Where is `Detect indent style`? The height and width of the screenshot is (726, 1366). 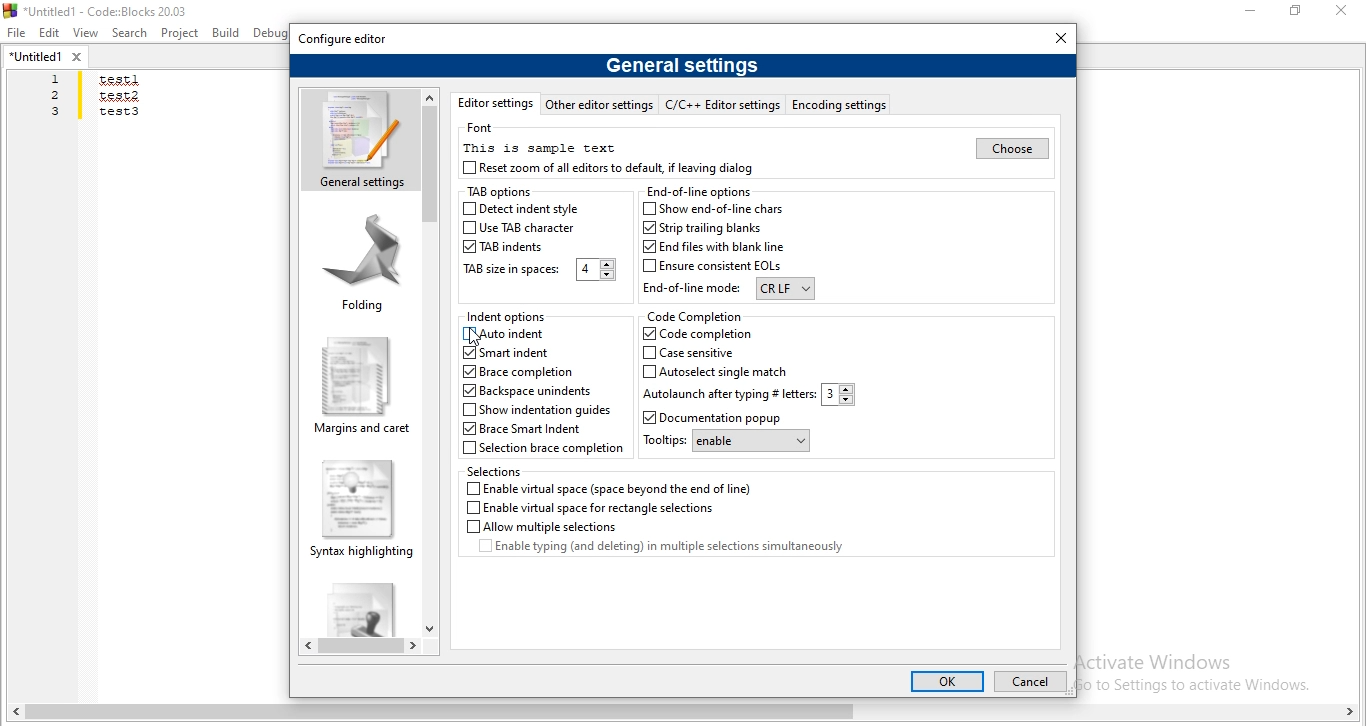 Detect indent style is located at coordinates (522, 209).